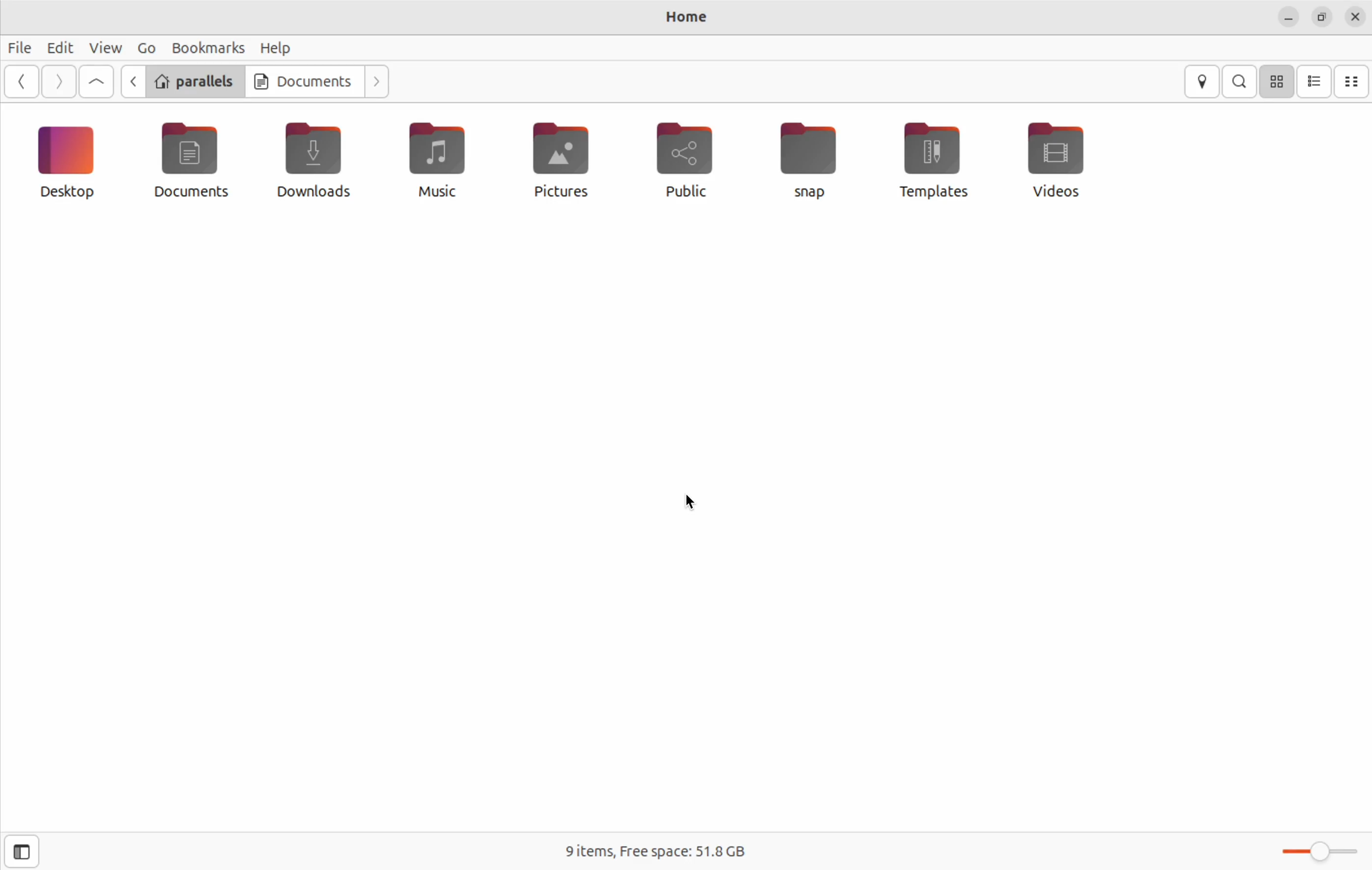 This screenshot has width=1372, height=870. Describe the element at coordinates (652, 853) in the screenshot. I see ` items space` at that location.